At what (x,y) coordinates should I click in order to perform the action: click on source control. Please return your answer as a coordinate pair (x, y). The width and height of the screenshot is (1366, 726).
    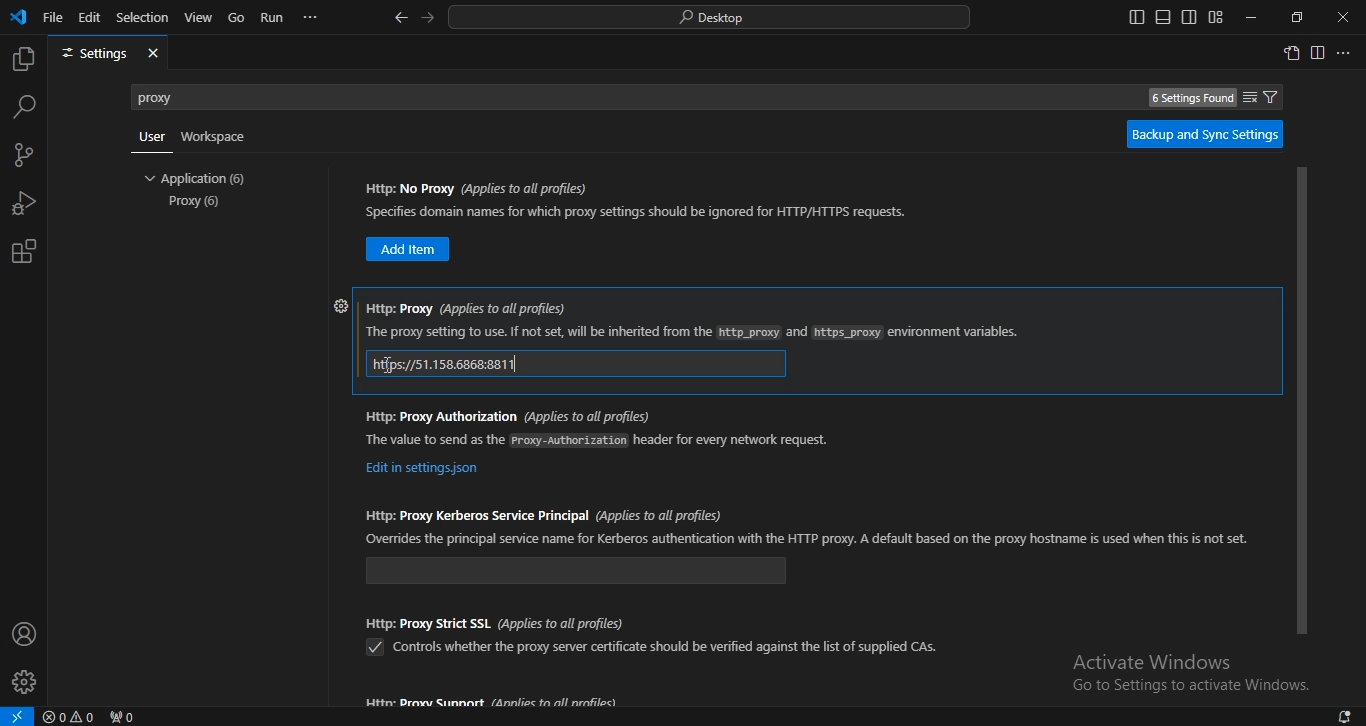
    Looking at the image, I should click on (25, 155).